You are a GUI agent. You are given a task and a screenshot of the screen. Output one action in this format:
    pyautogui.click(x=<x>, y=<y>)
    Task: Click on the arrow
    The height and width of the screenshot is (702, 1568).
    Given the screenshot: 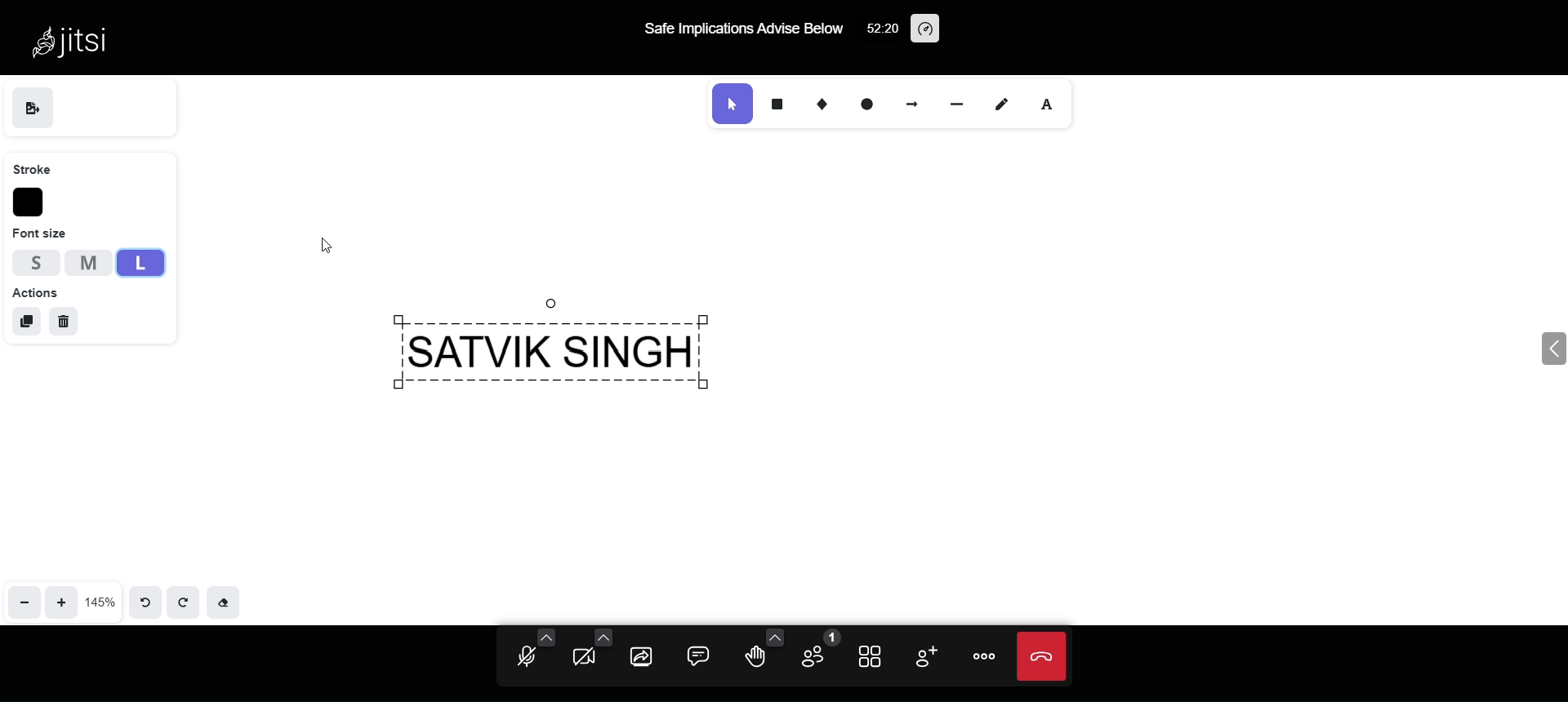 What is the action you would take?
    pyautogui.click(x=912, y=101)
    